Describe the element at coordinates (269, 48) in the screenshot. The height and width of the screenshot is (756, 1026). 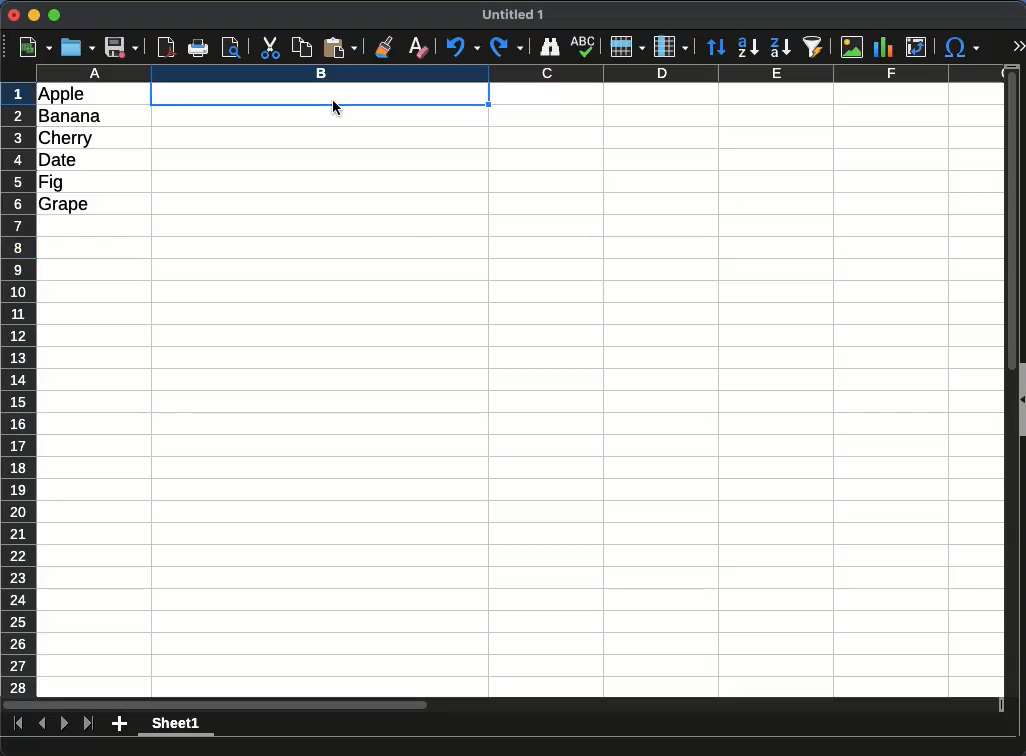
I see `cut` at that location.